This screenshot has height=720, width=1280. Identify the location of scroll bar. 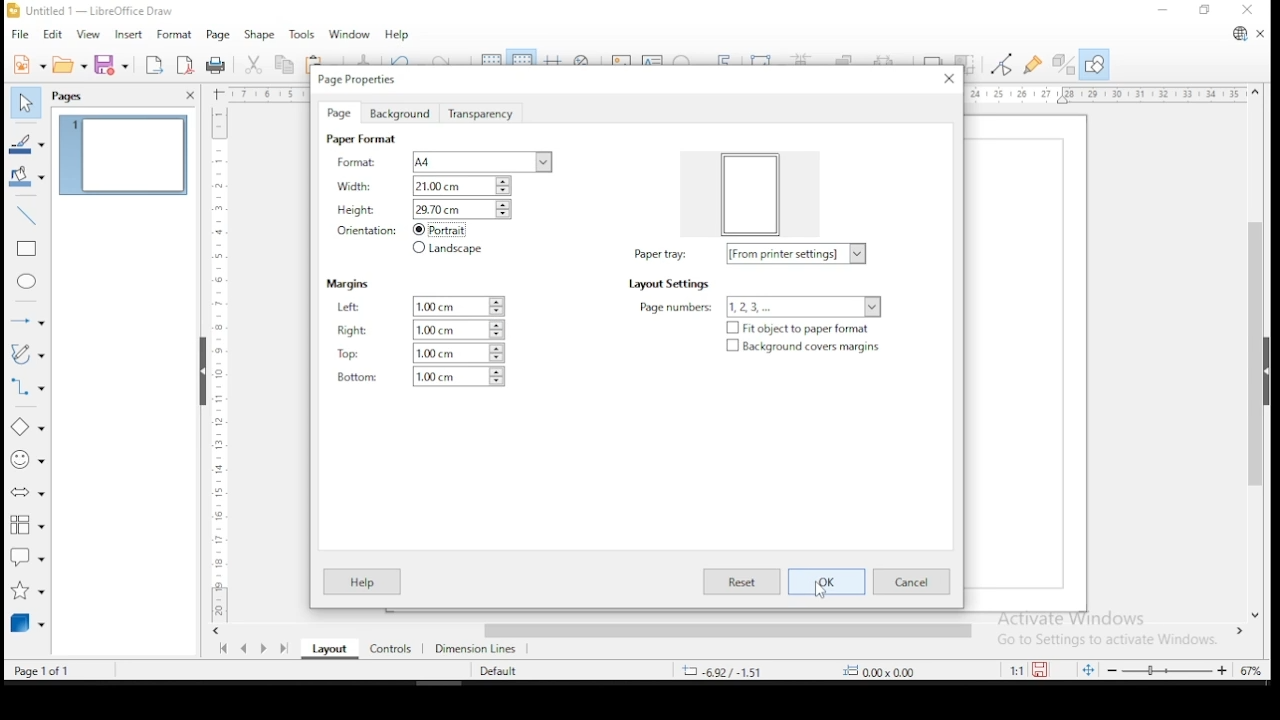
(735, 632).